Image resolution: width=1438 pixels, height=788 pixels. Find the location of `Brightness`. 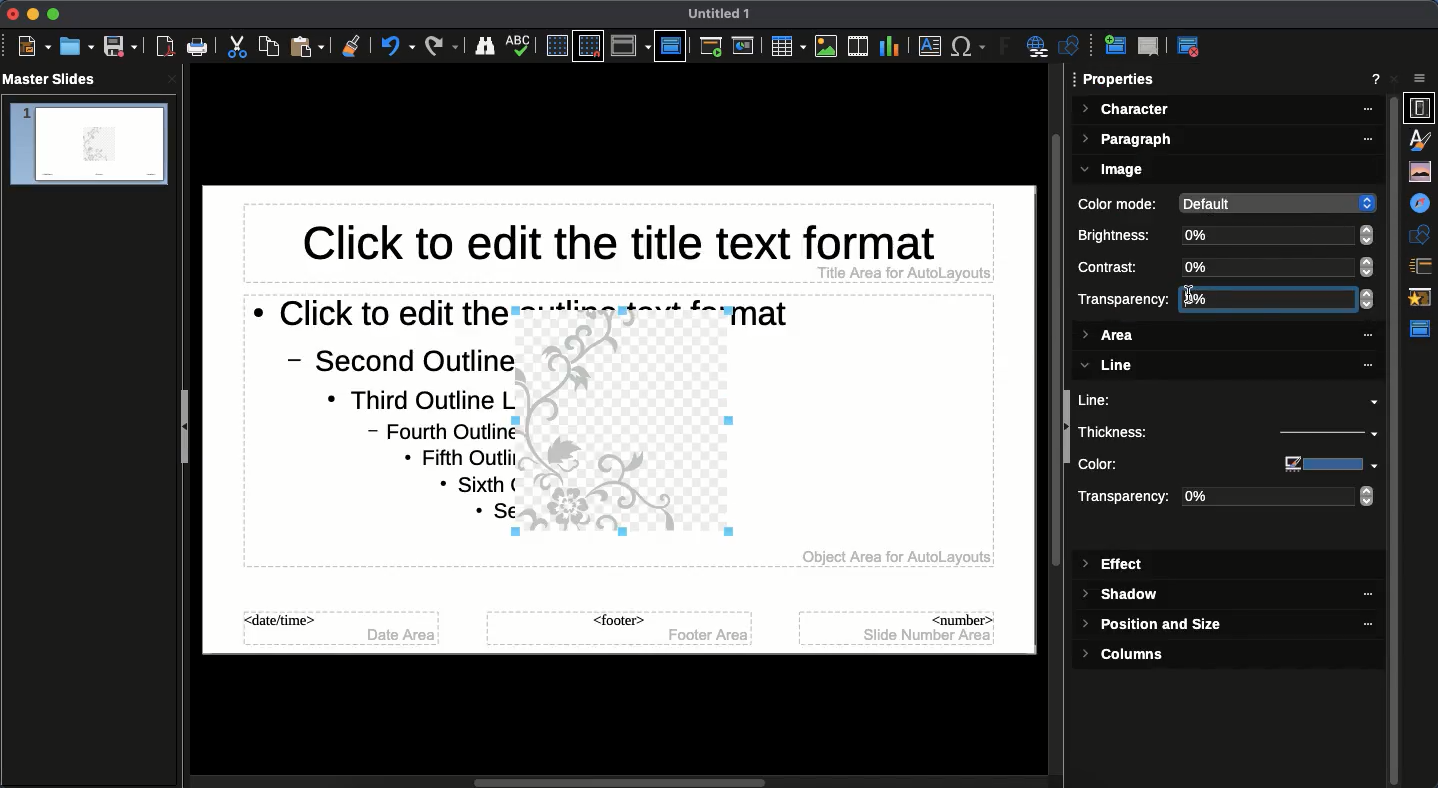

Brightness is located at coordinates (1119, 235).